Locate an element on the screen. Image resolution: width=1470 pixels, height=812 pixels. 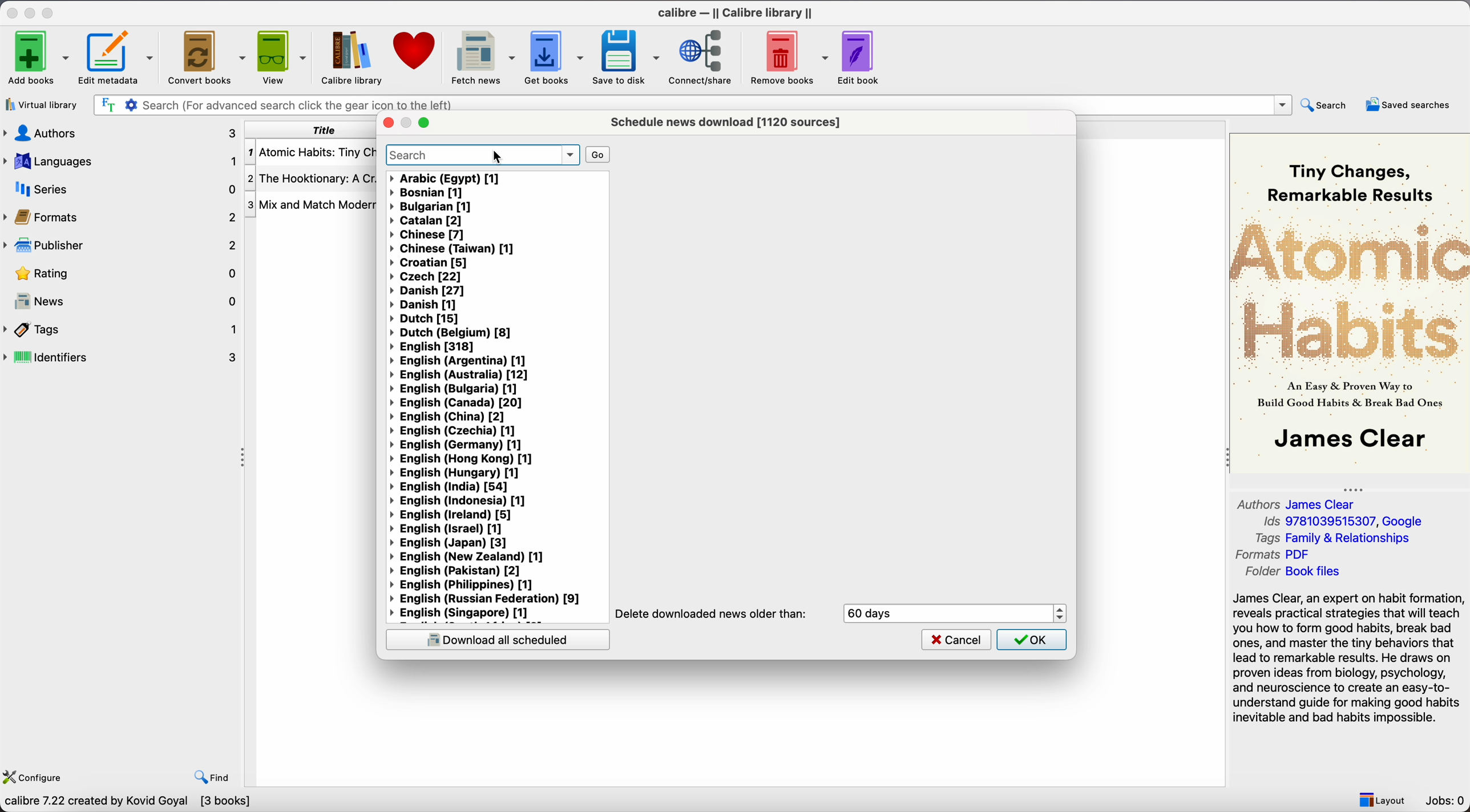
bosnian [1] is located at coordinates (429, 193).